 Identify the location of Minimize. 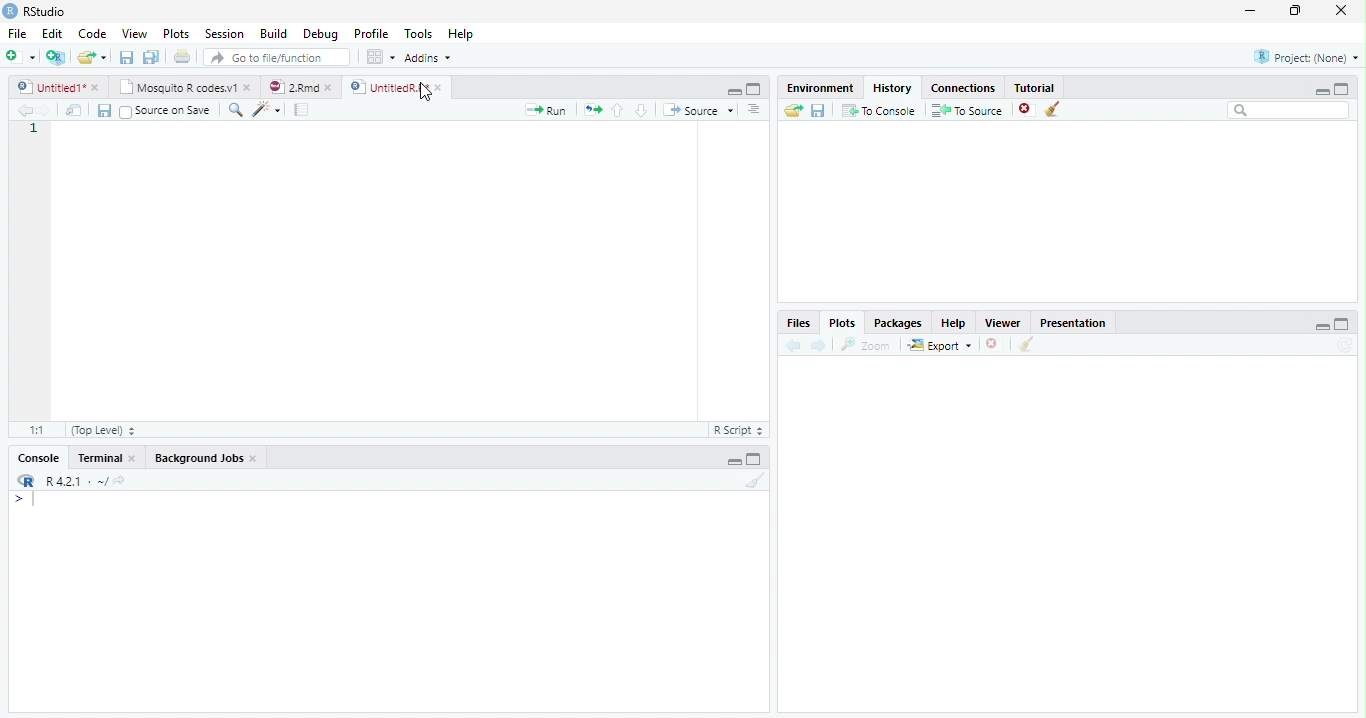
(731, 90).